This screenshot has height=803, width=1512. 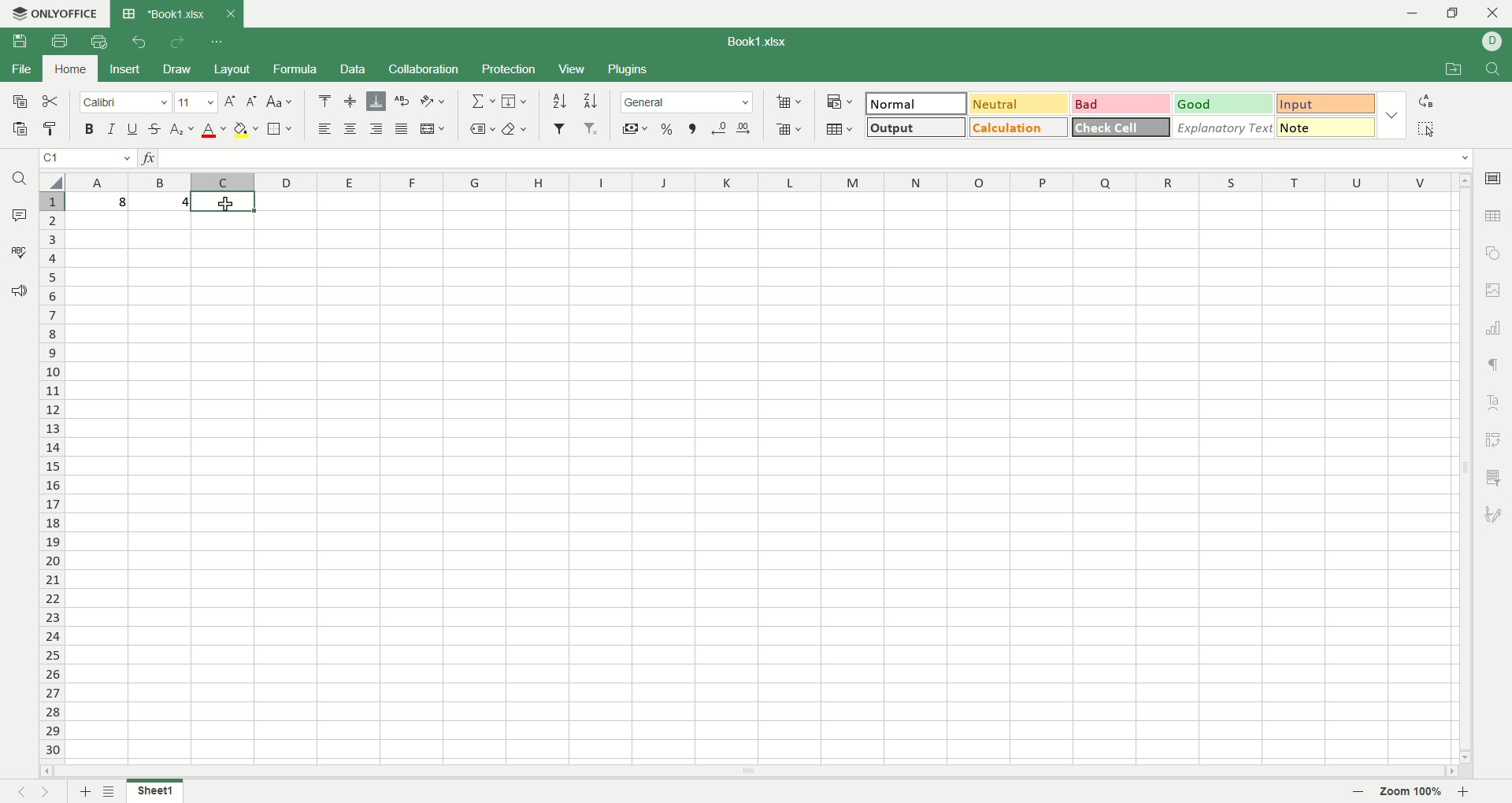 I want to click on text art , so click(x=1495, y=404).